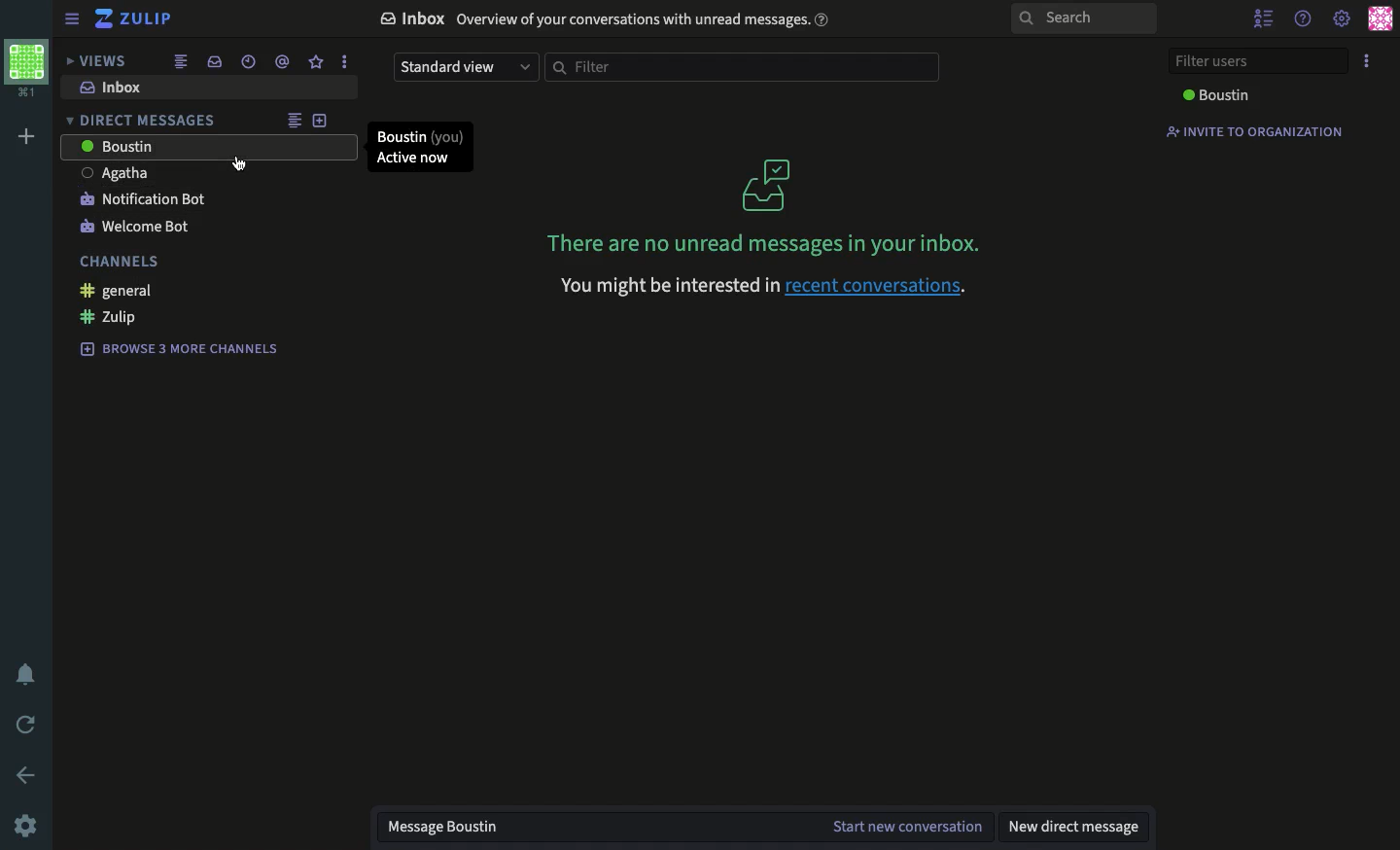 The image size is (1400, 850). What do you see at coordinates (182, 63) in the screenshot?
I see `combined feed` at bounding box center [182, 63].